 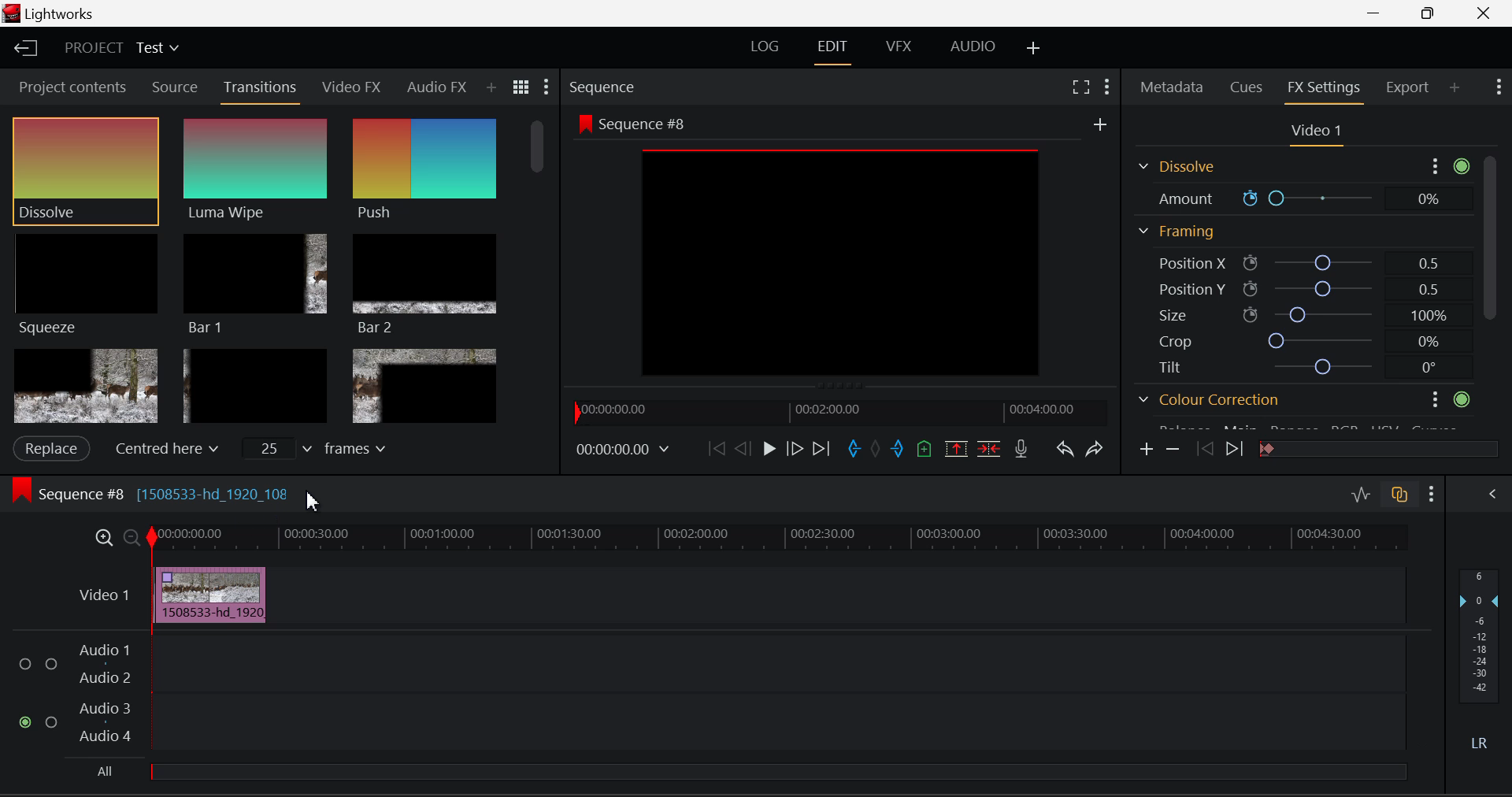 I want to click on Box 3, so click(x=424, y=385).